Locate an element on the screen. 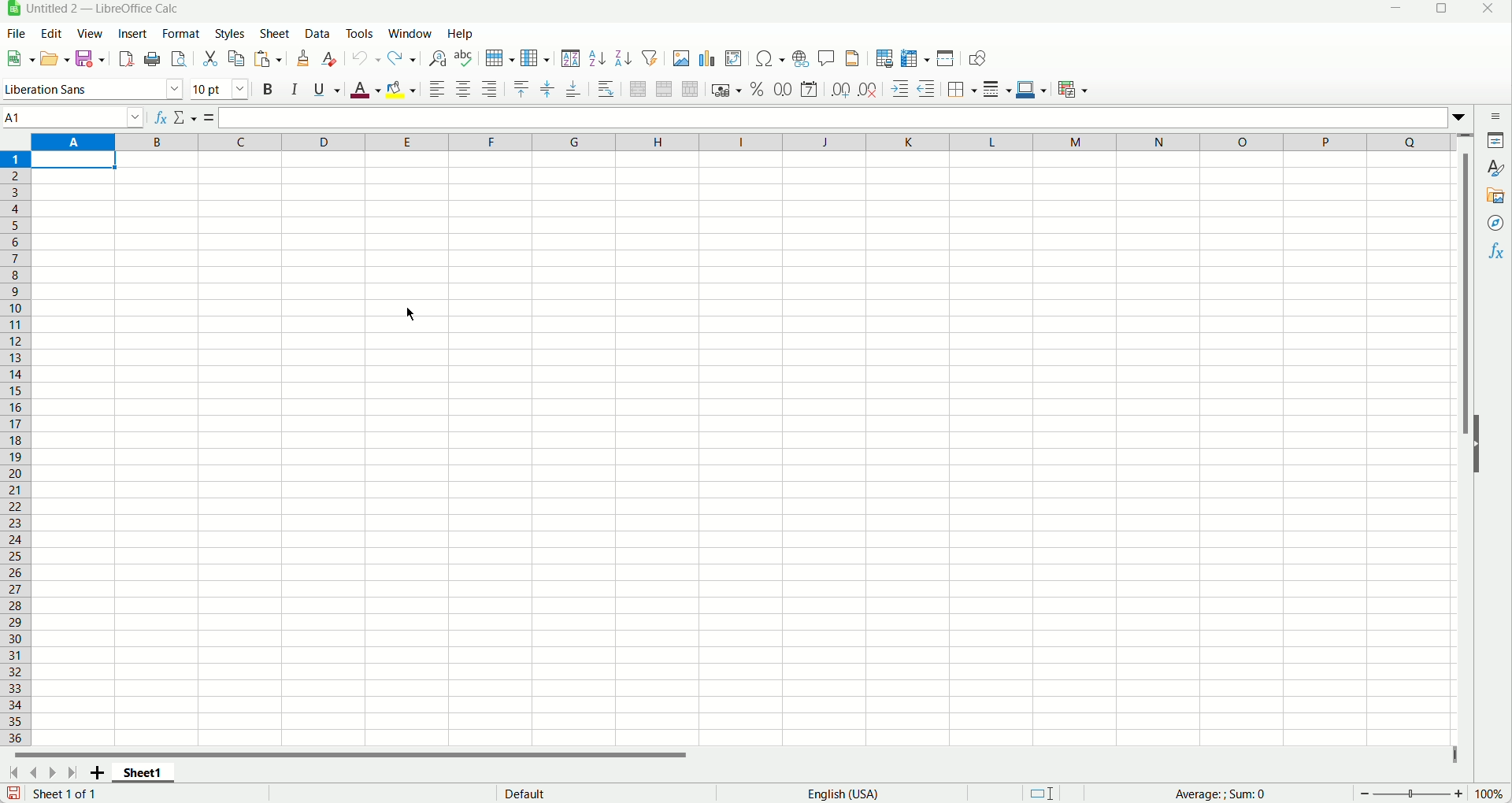 The image size is (1512, 803). Insert comment is located at coordinates (826, 58).